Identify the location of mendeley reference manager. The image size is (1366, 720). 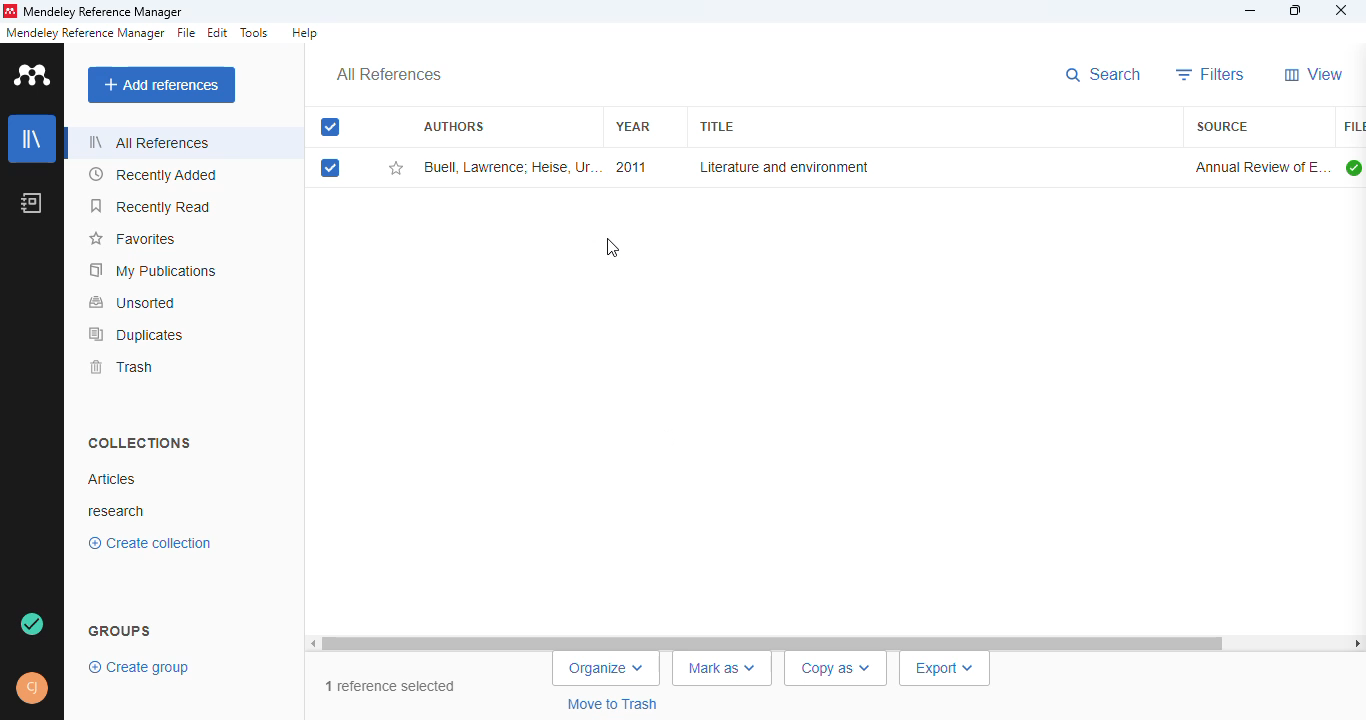
(104, 12).